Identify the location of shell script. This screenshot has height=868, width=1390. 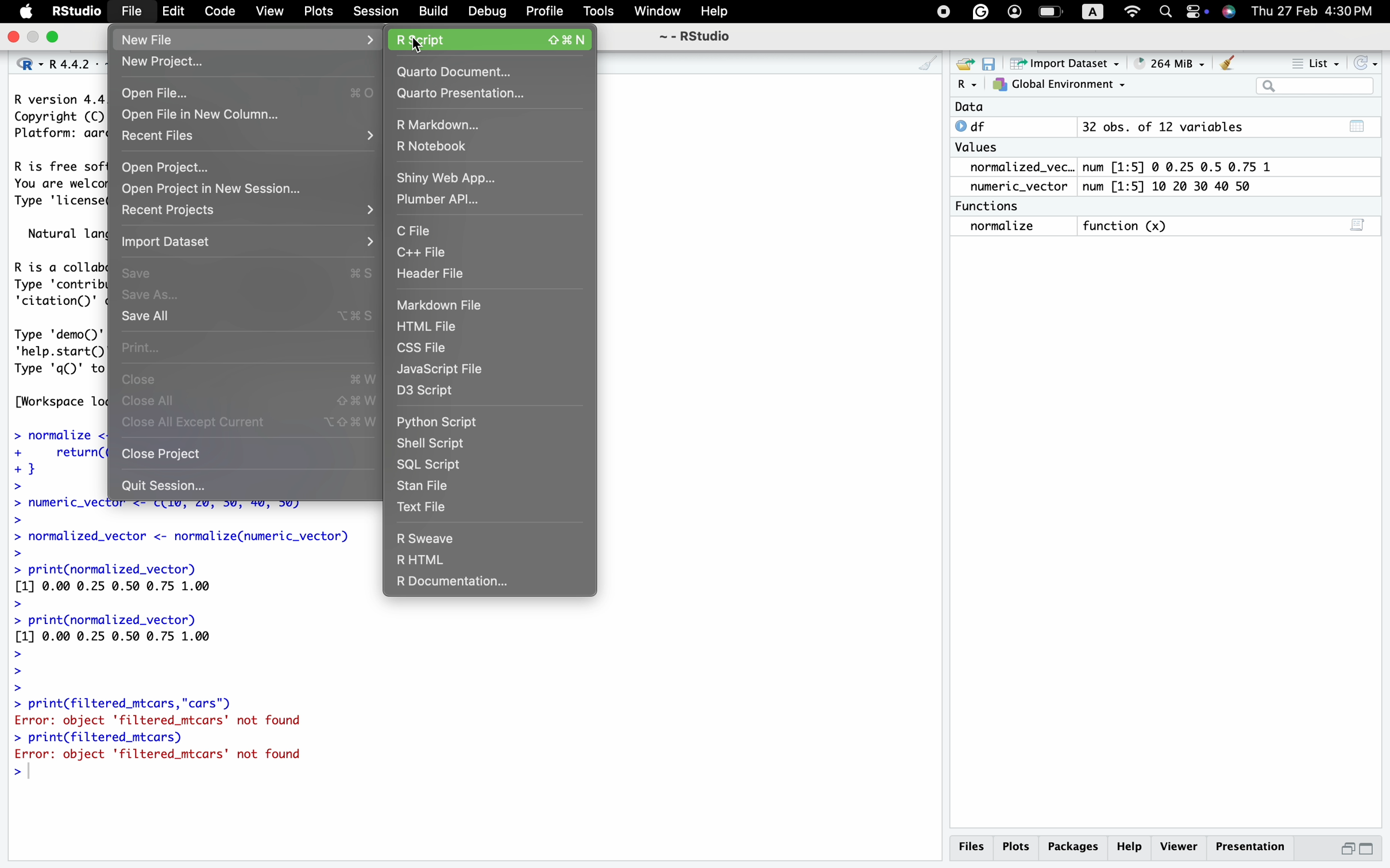
(487, 445).